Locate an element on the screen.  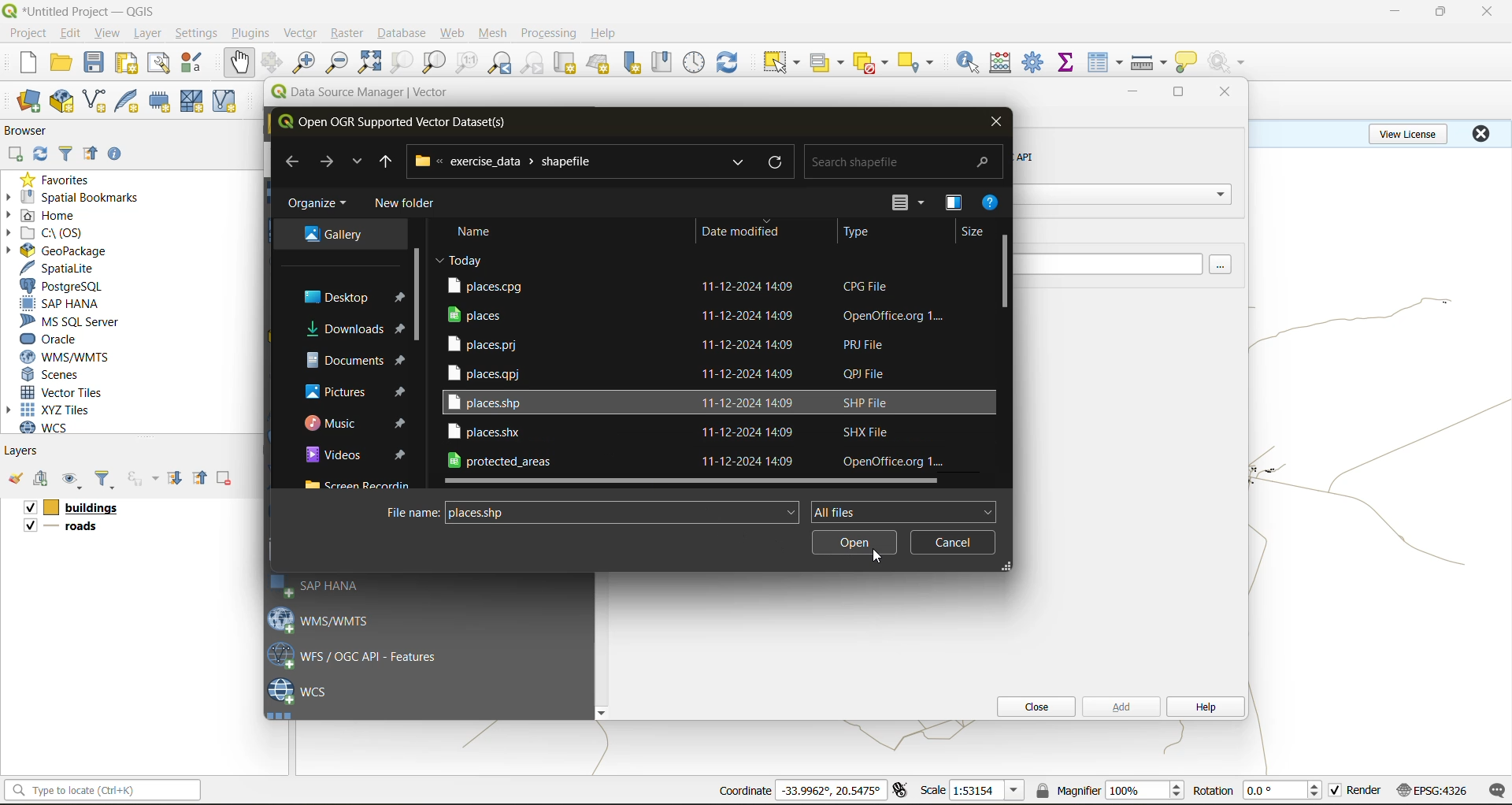
tool box is located at coordinates (1035, 61).